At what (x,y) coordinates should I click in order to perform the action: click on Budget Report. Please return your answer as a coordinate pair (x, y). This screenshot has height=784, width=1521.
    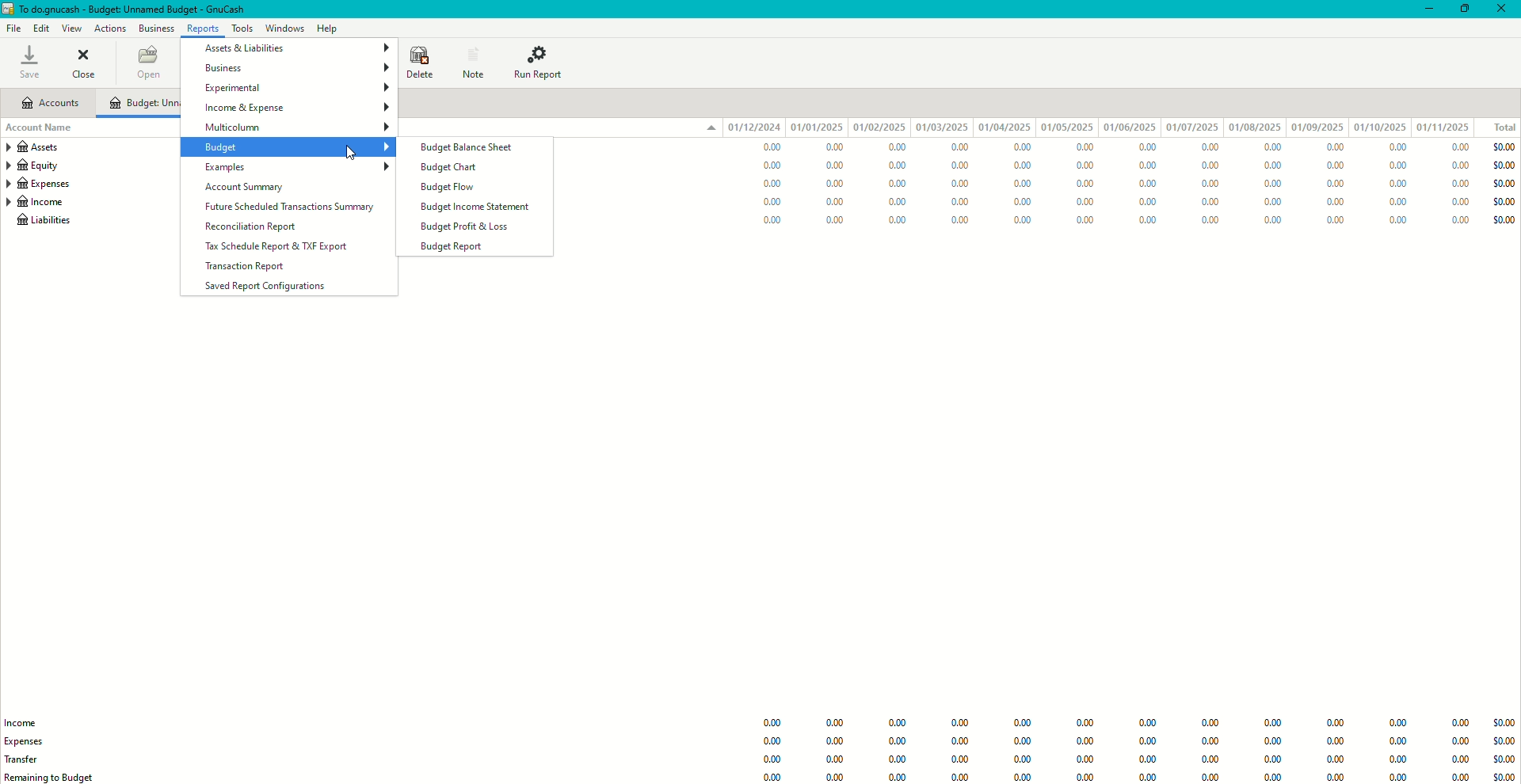
    Looking at the image, I should click on (457, 246).